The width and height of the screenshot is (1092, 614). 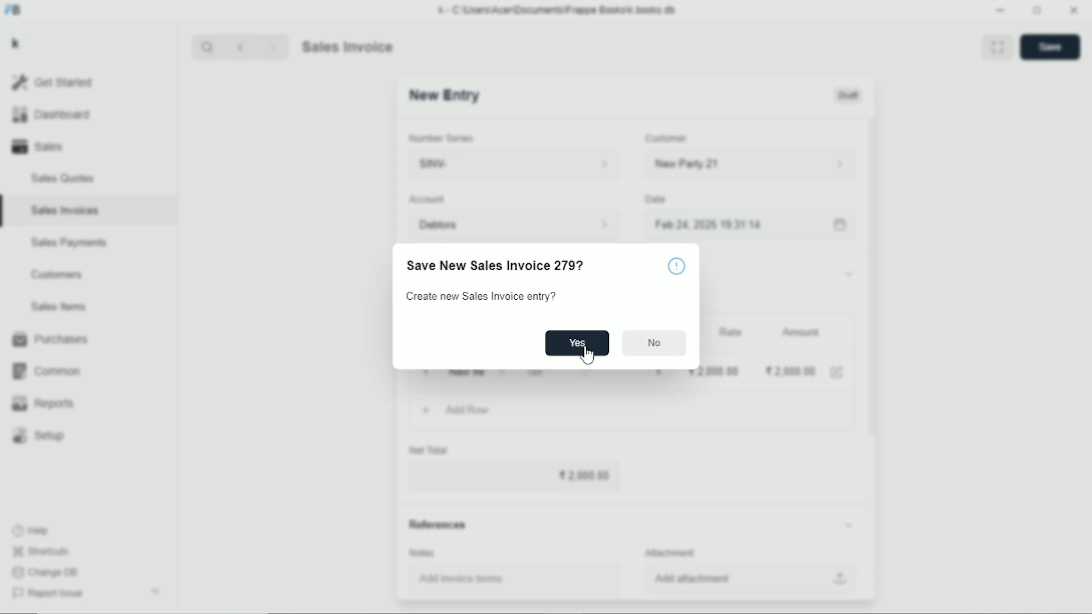 I want to click on Net total, so click(x=429, y=450).